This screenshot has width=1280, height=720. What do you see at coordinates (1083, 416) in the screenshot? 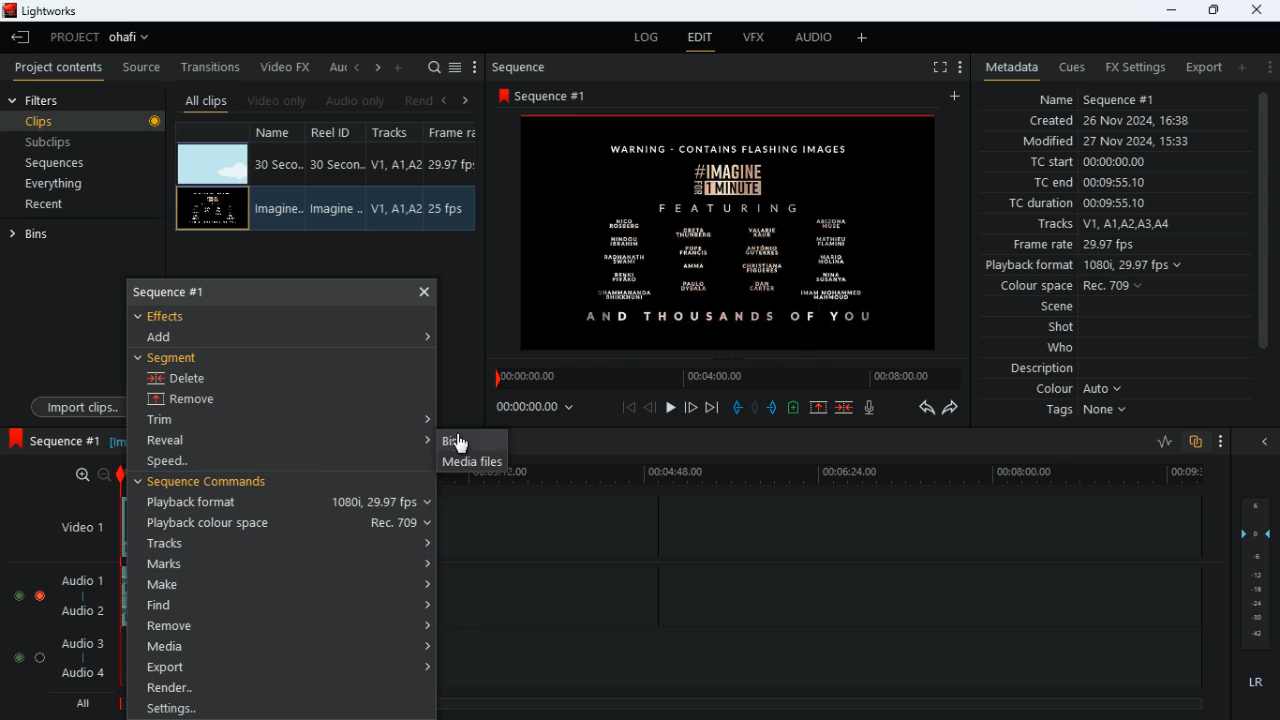
I see `tags` at bounding box center [1083, 416].